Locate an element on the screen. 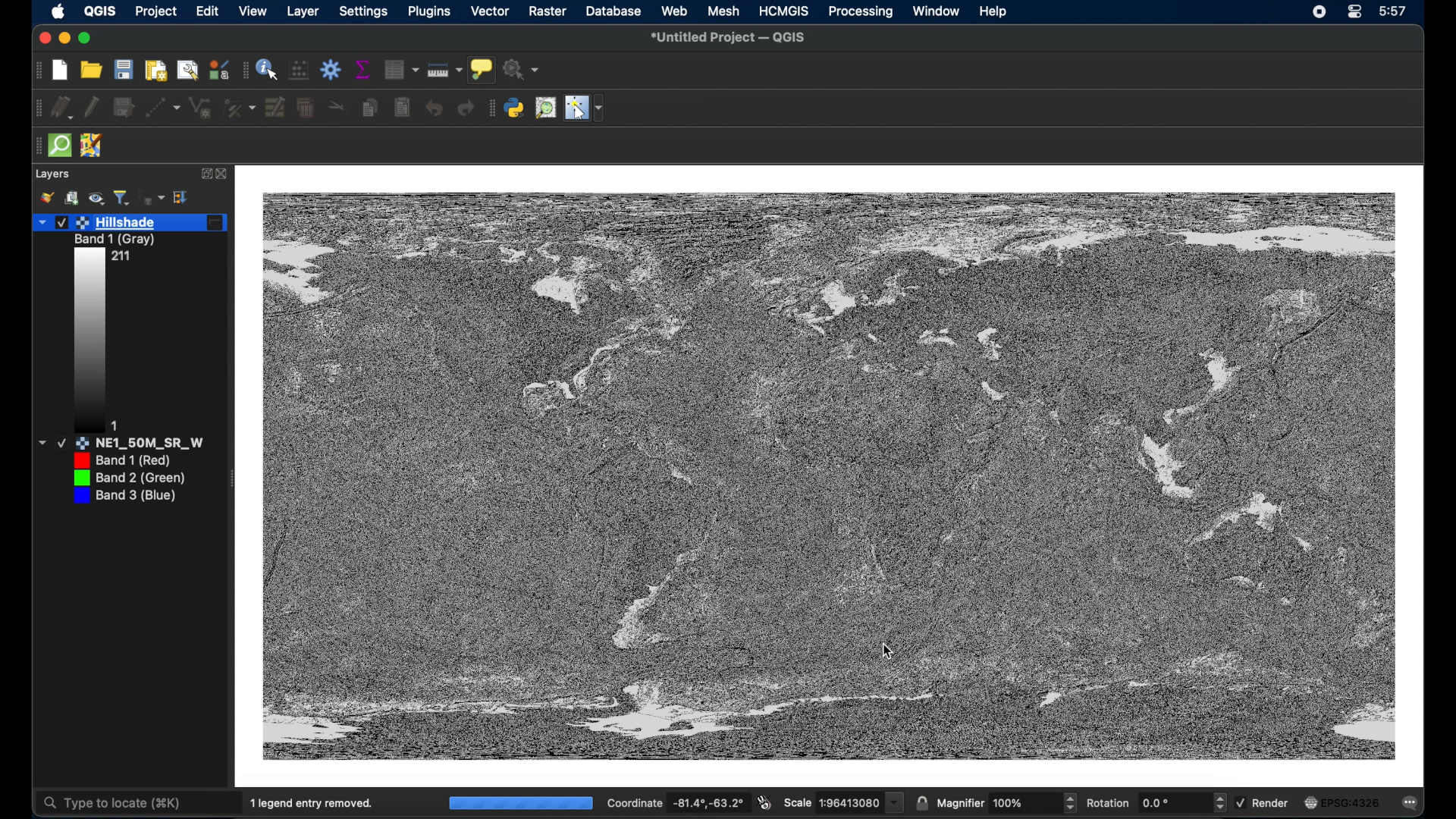  add group is located at coordinates (72, 197).